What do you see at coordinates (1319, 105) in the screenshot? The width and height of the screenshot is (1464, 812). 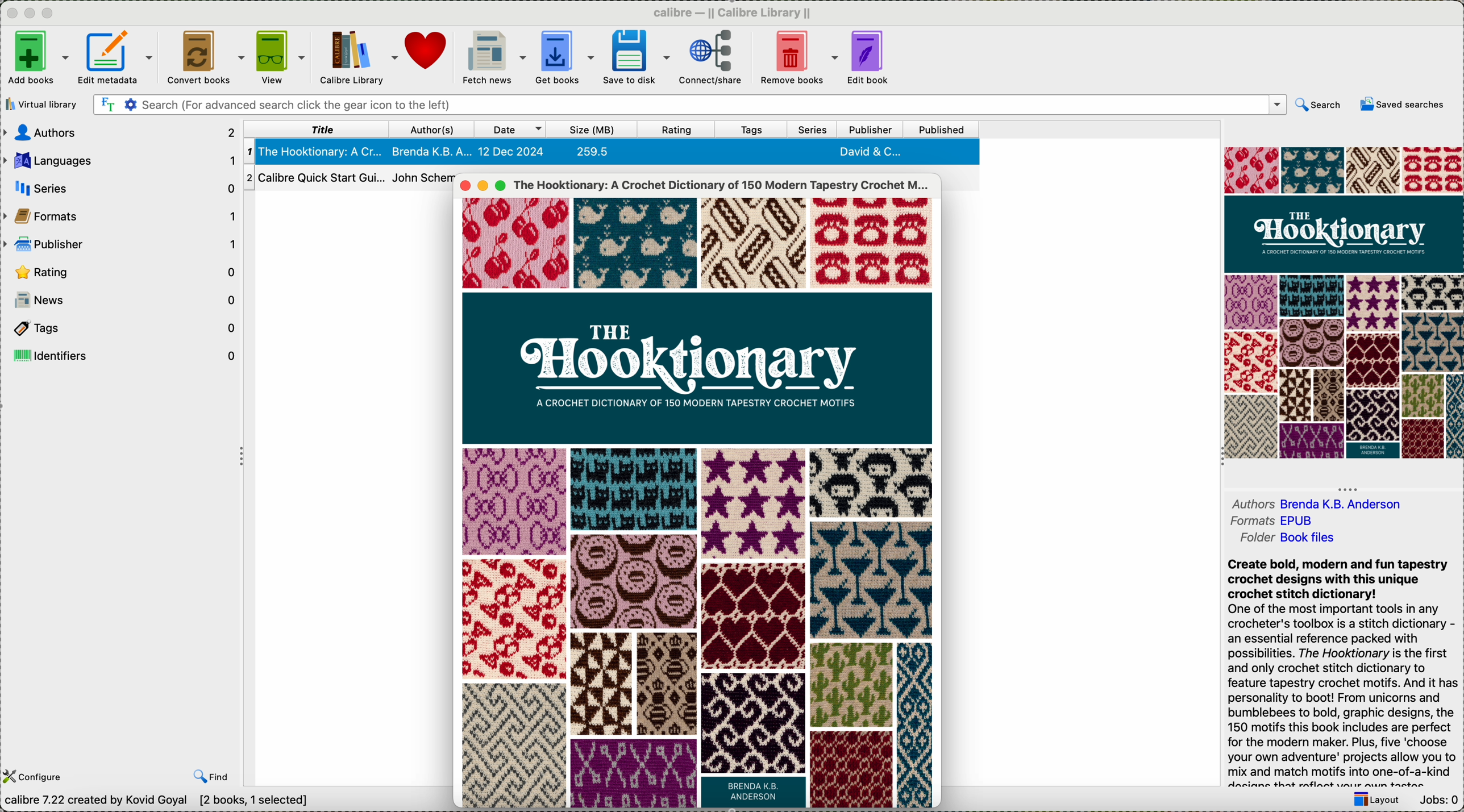 I see `search` at bounding box center [1319, 105].